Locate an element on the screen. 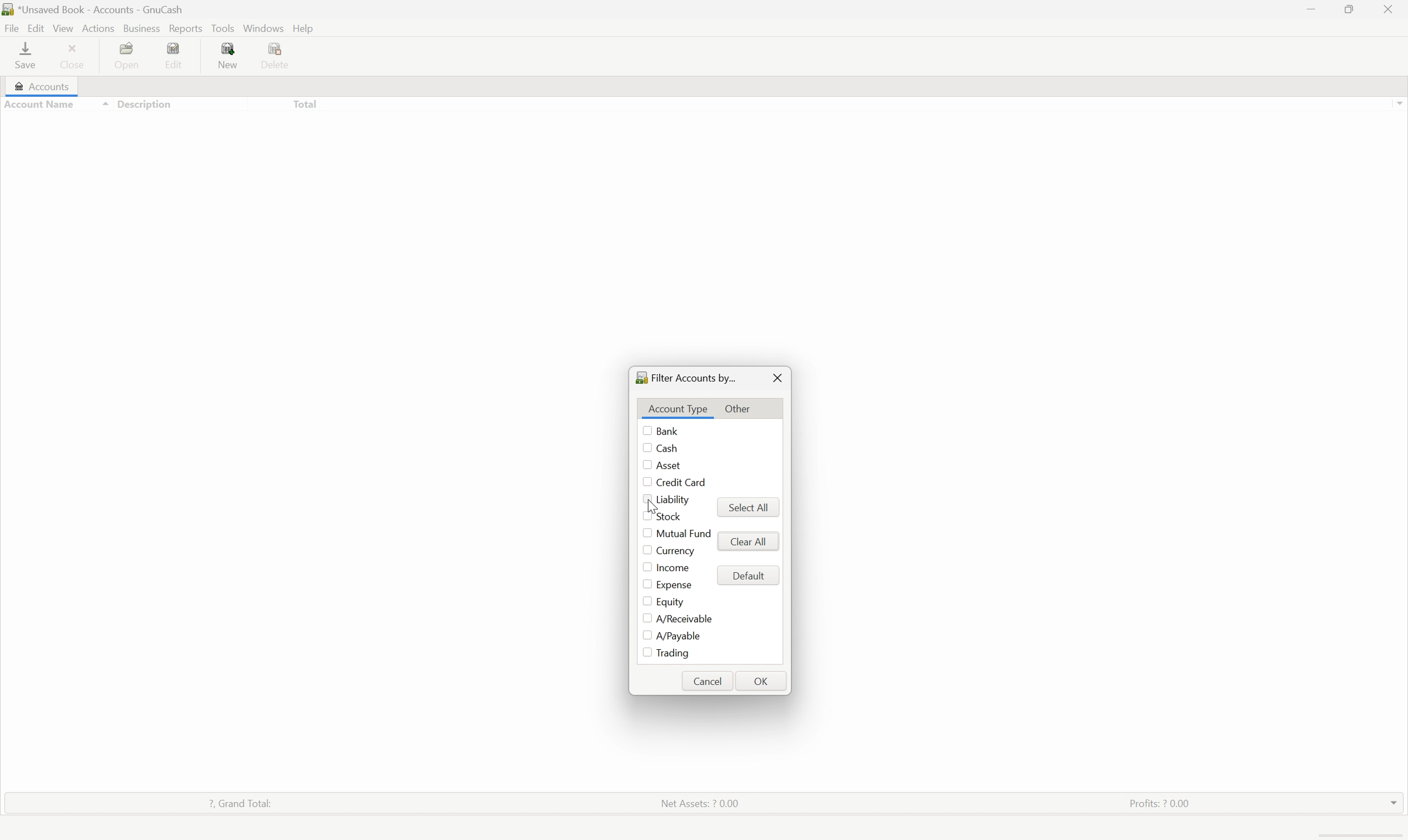 The height and width of the screenshot is (840, 1408). Checkbox is located at coordinates (645, 550).